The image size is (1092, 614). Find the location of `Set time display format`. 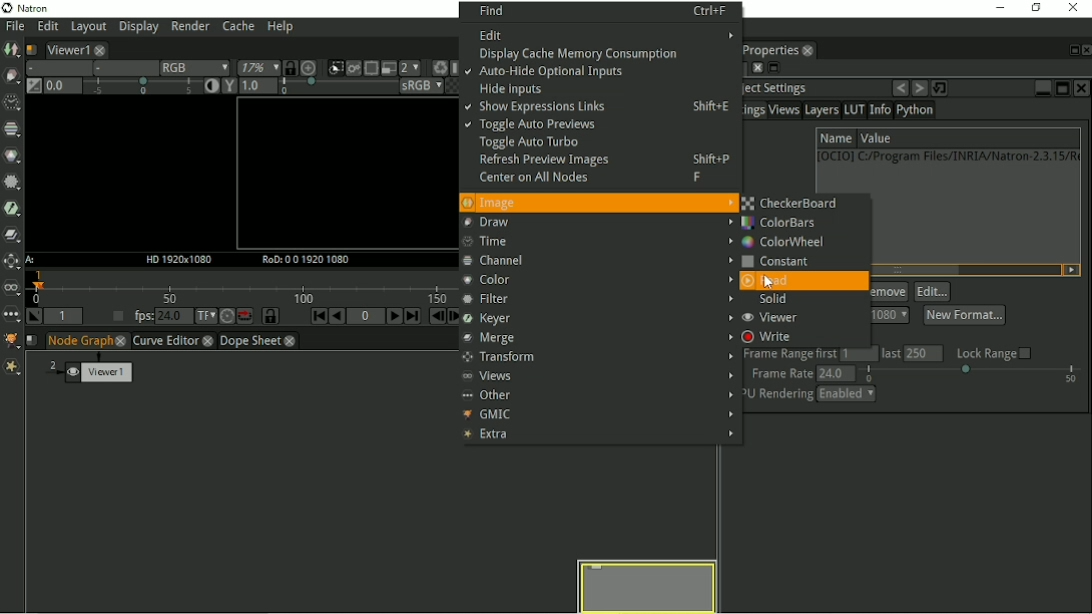

Set time display format is located at coordinates (201, 317).